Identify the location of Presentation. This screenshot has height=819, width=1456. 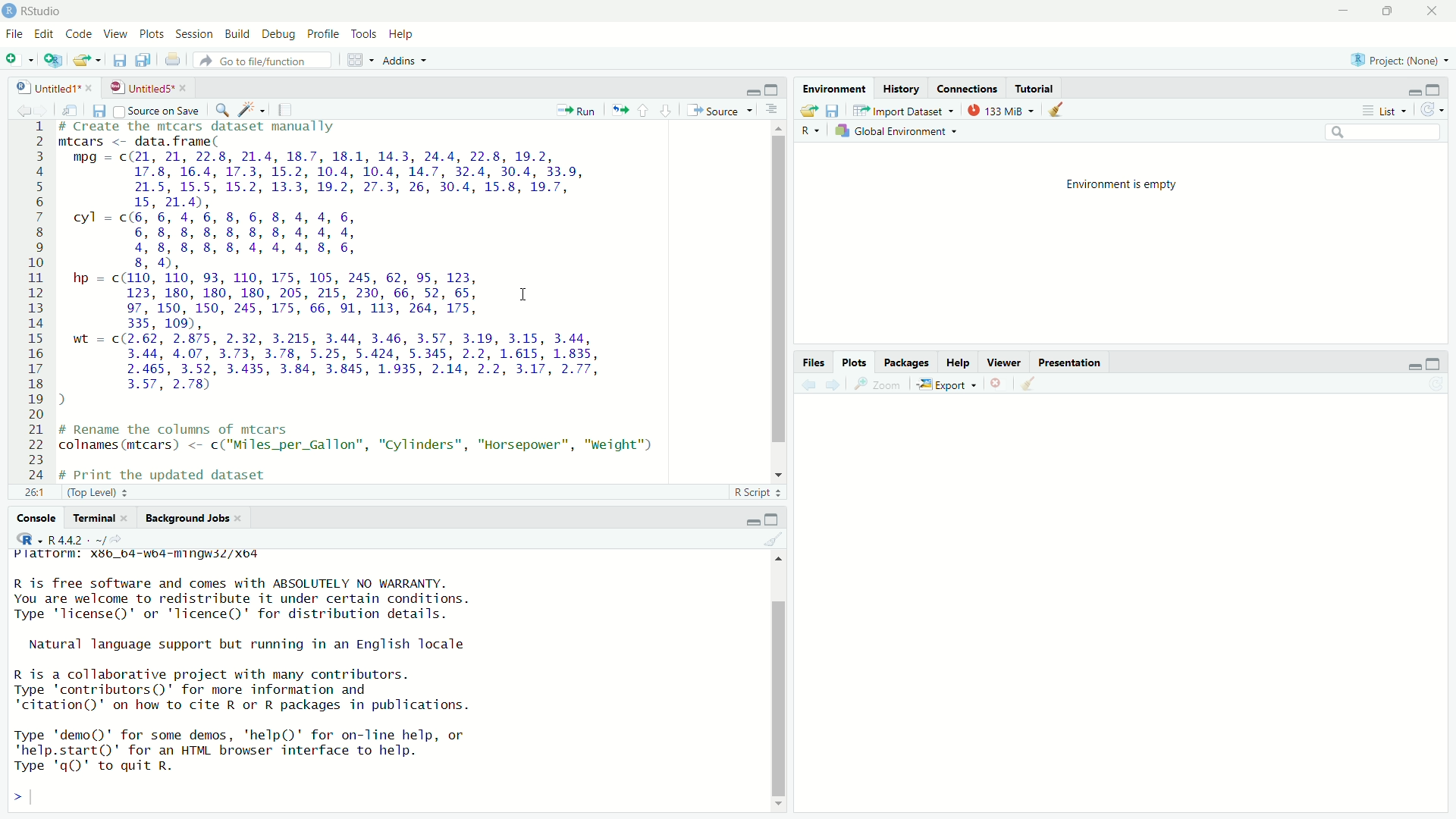
(1072, 364).